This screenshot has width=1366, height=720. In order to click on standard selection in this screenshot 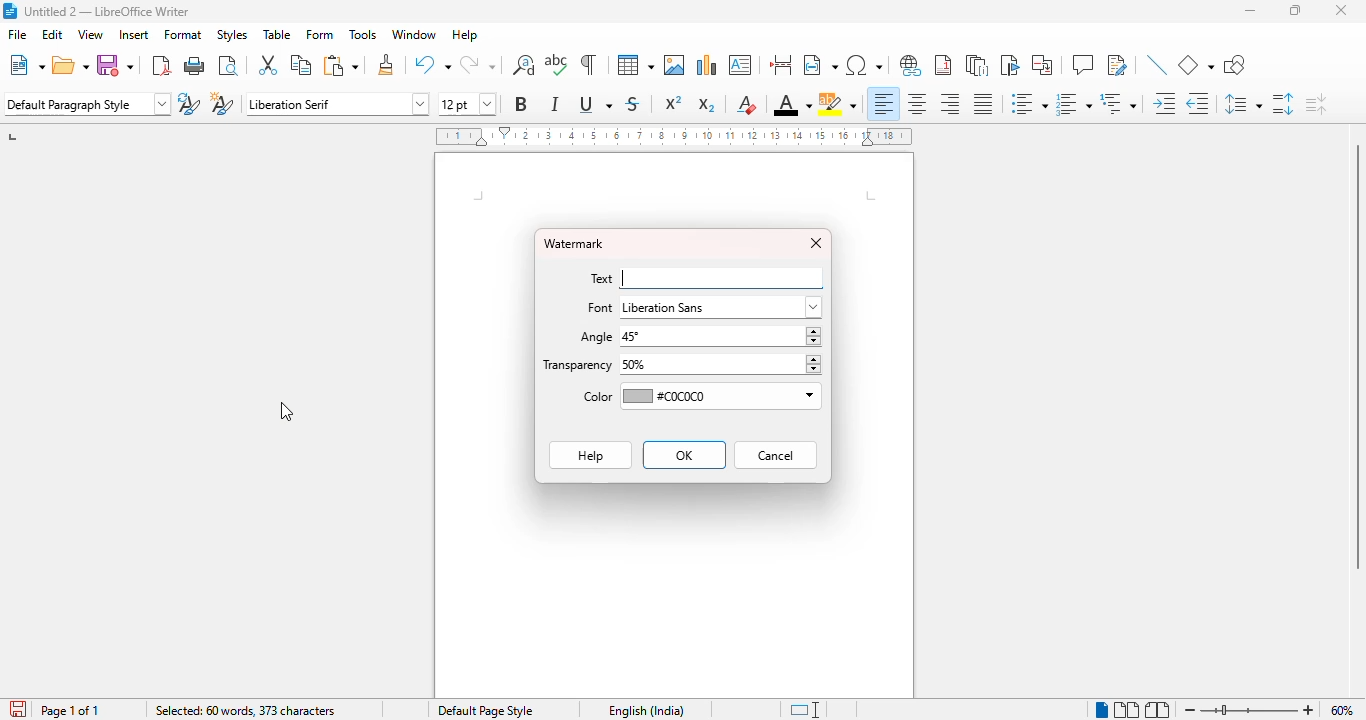, I will do `click(806, 710)`.